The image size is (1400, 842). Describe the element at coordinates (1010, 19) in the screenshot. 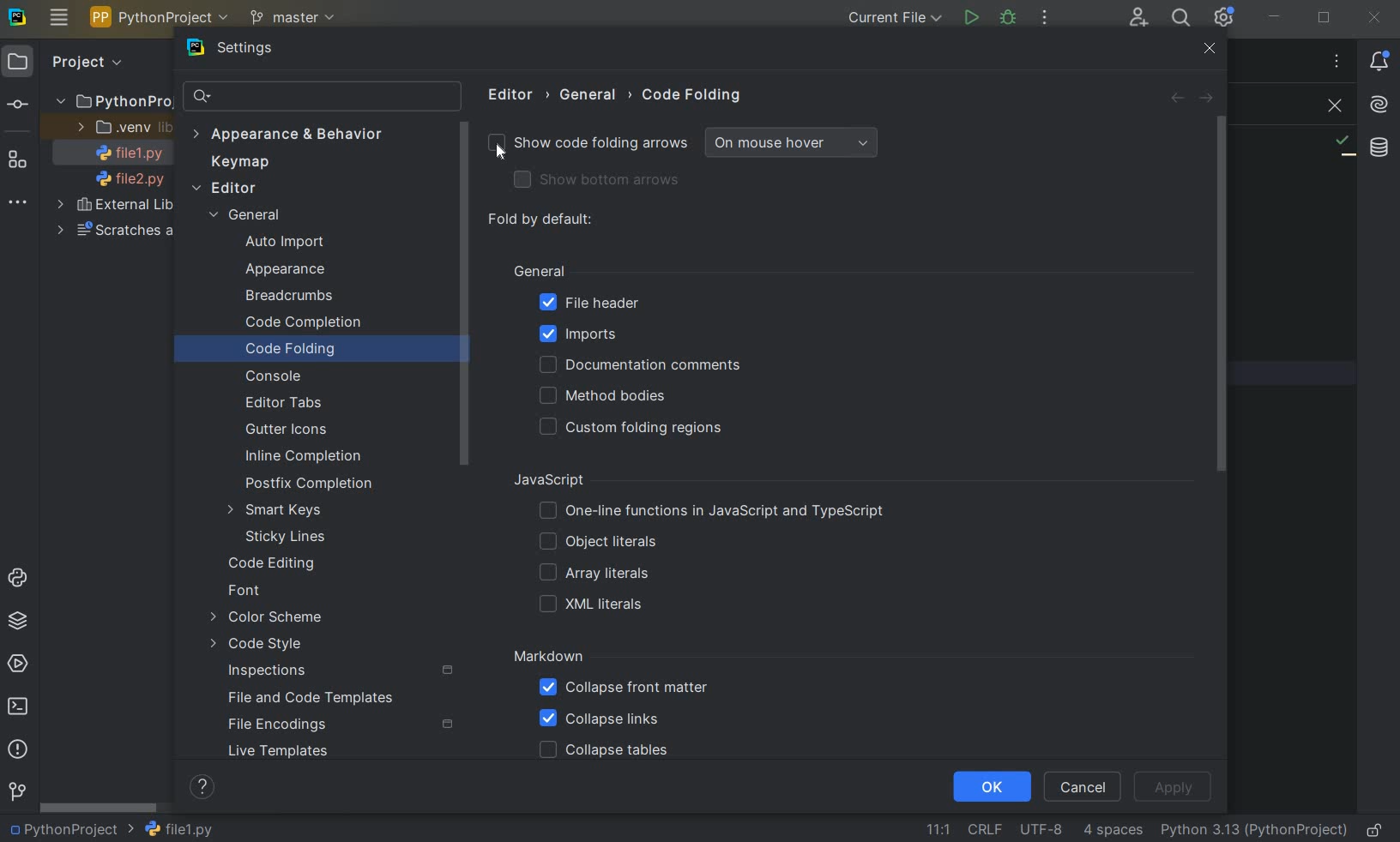

I see `DEBUG` at that location.